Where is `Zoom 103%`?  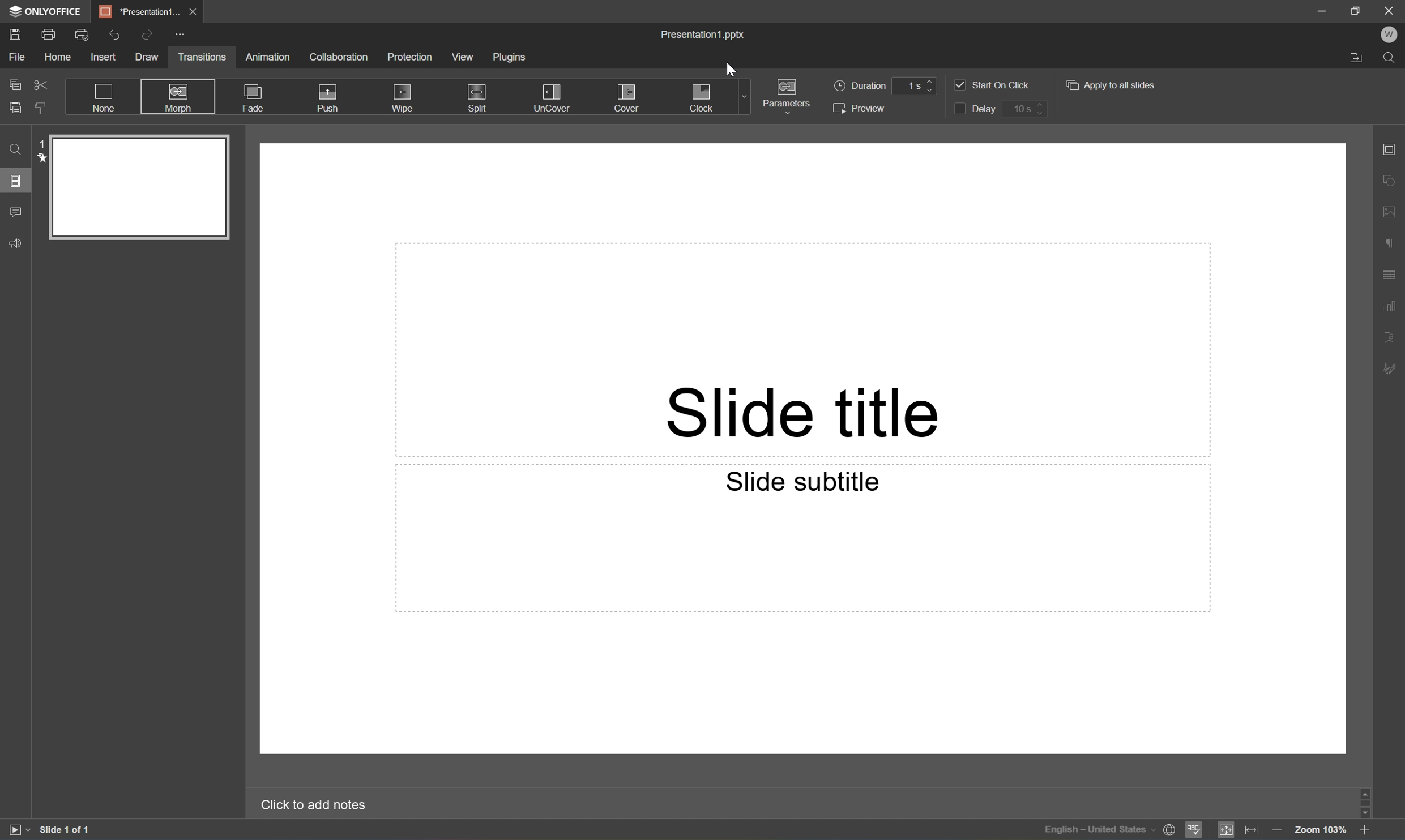 Zoom 103% is located at coordinates (1322, 830).